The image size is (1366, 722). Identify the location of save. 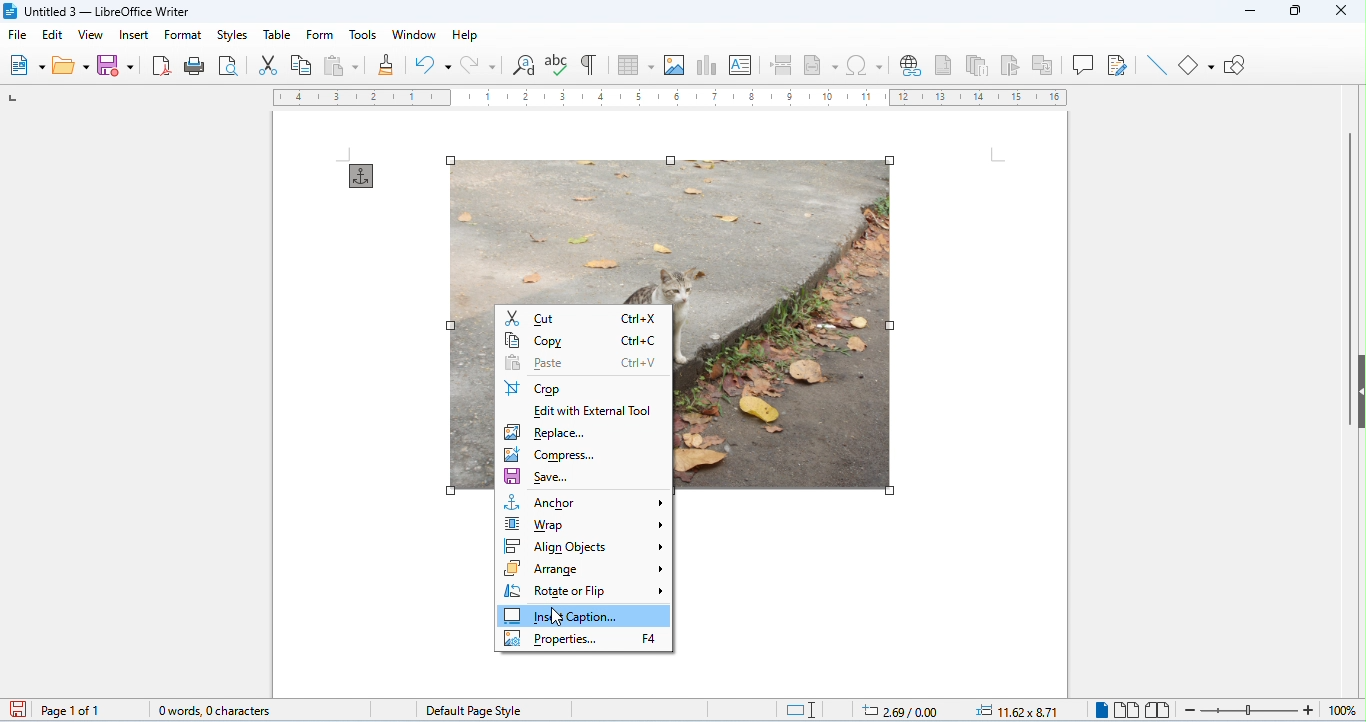
(540, 478).